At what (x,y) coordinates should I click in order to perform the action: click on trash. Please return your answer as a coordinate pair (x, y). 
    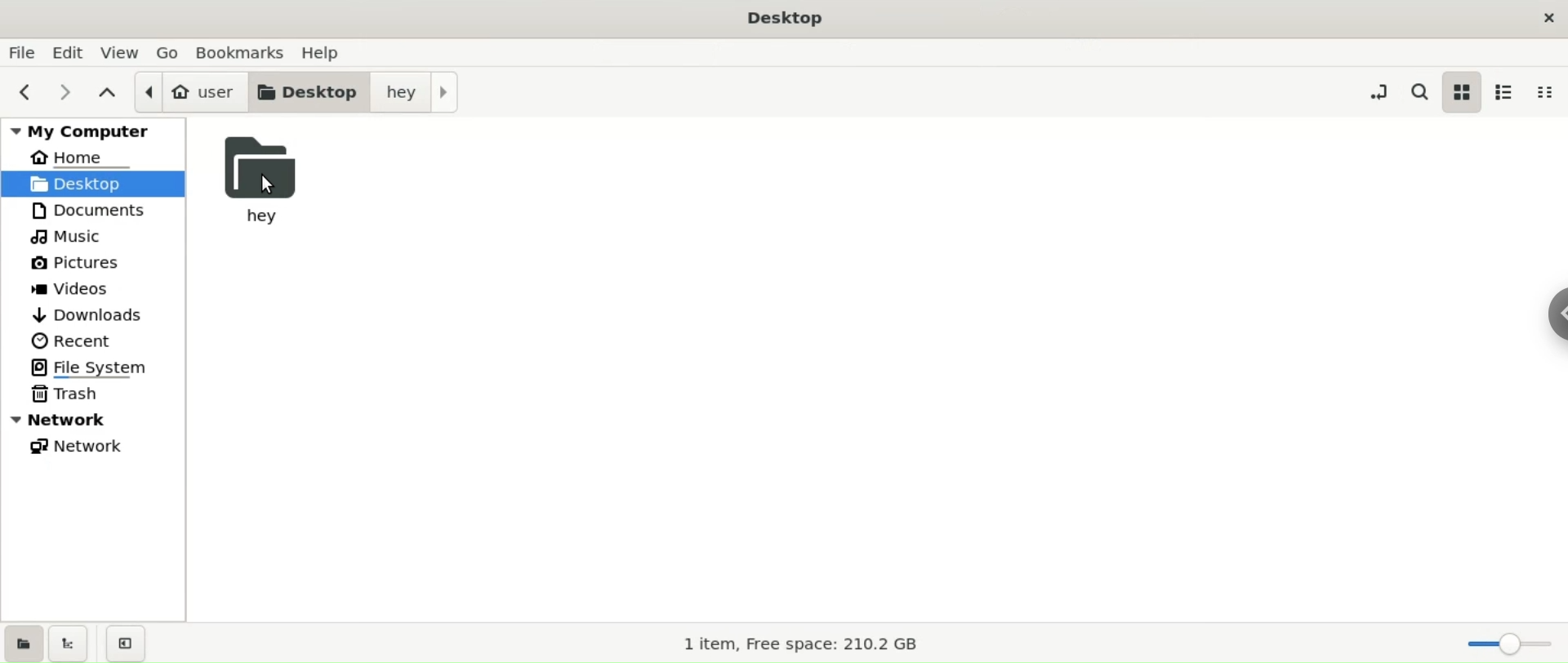
    Looking at the image, I should click on (93, 394).